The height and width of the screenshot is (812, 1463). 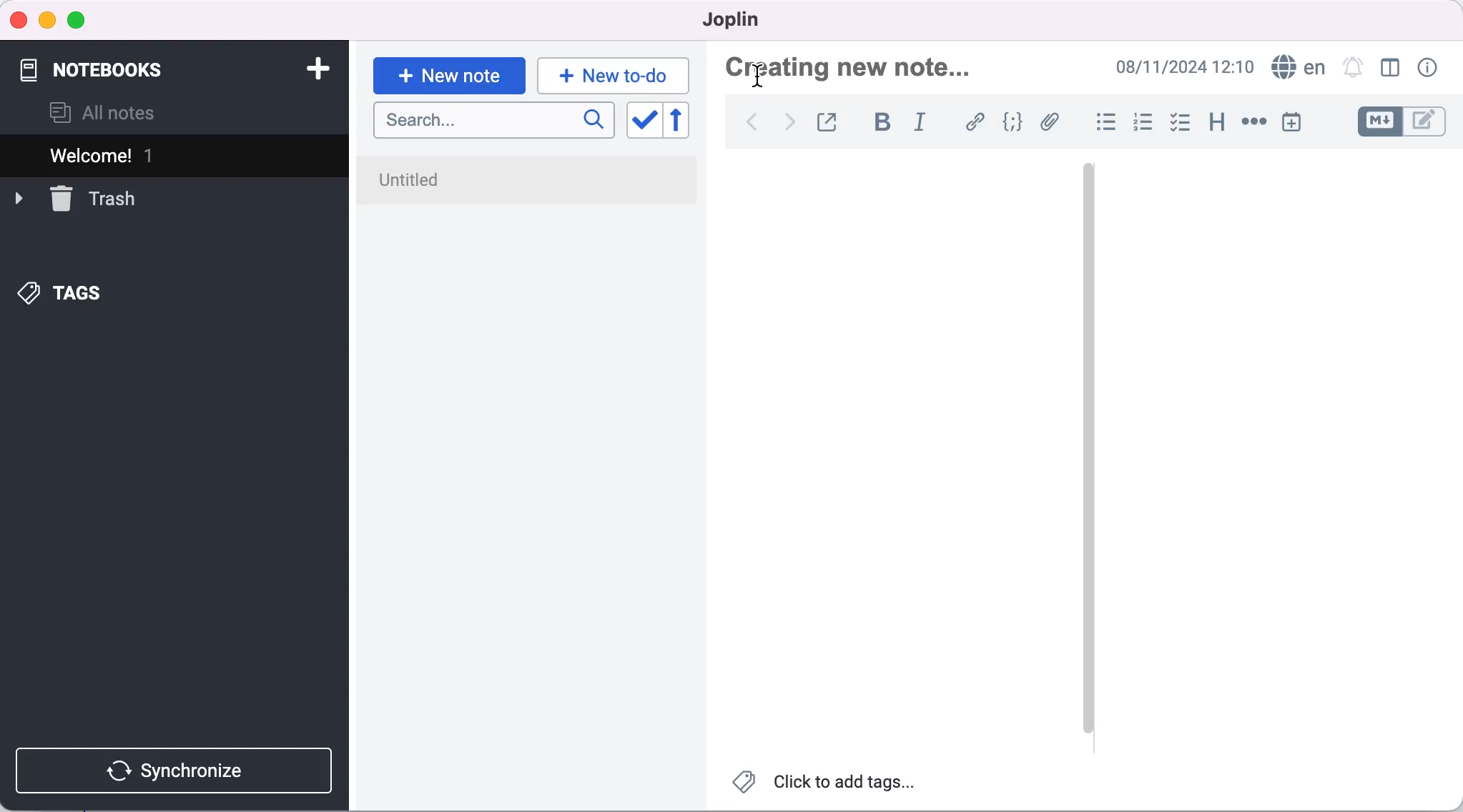 I want to click on hyperlink, so click(x=970, y=124).